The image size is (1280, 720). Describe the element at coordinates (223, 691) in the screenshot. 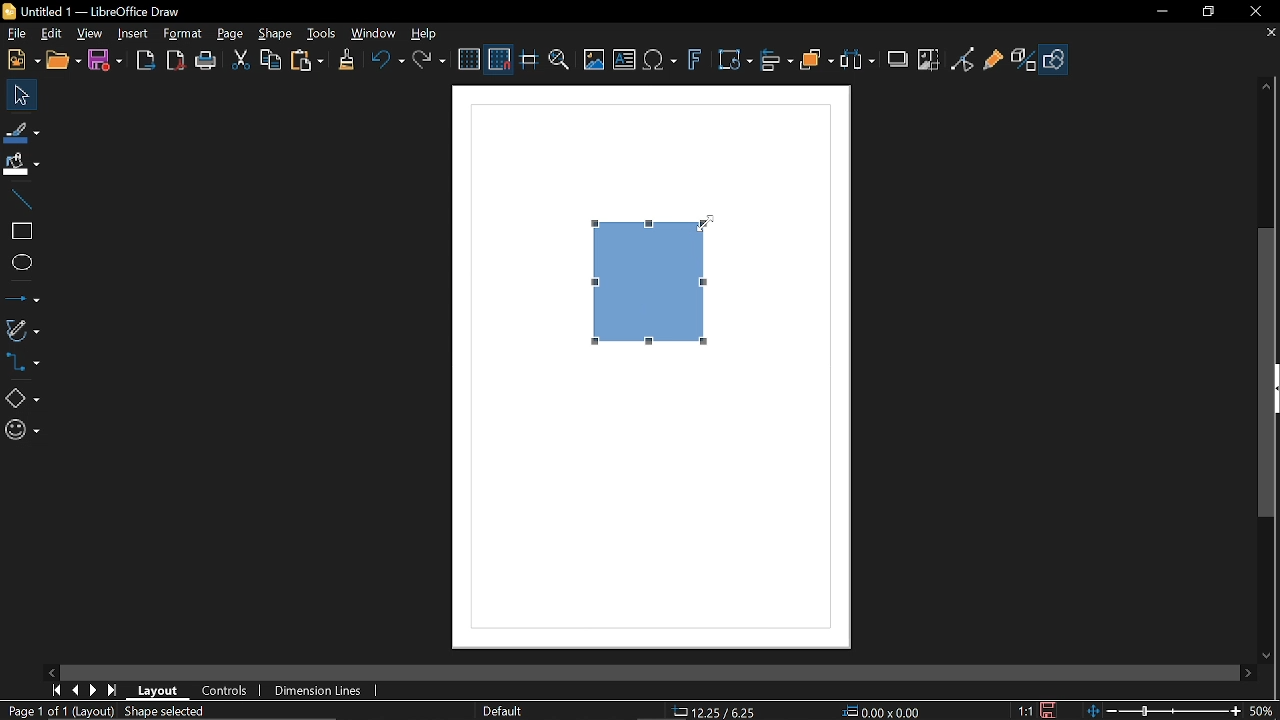

I see `Controls` at that location.